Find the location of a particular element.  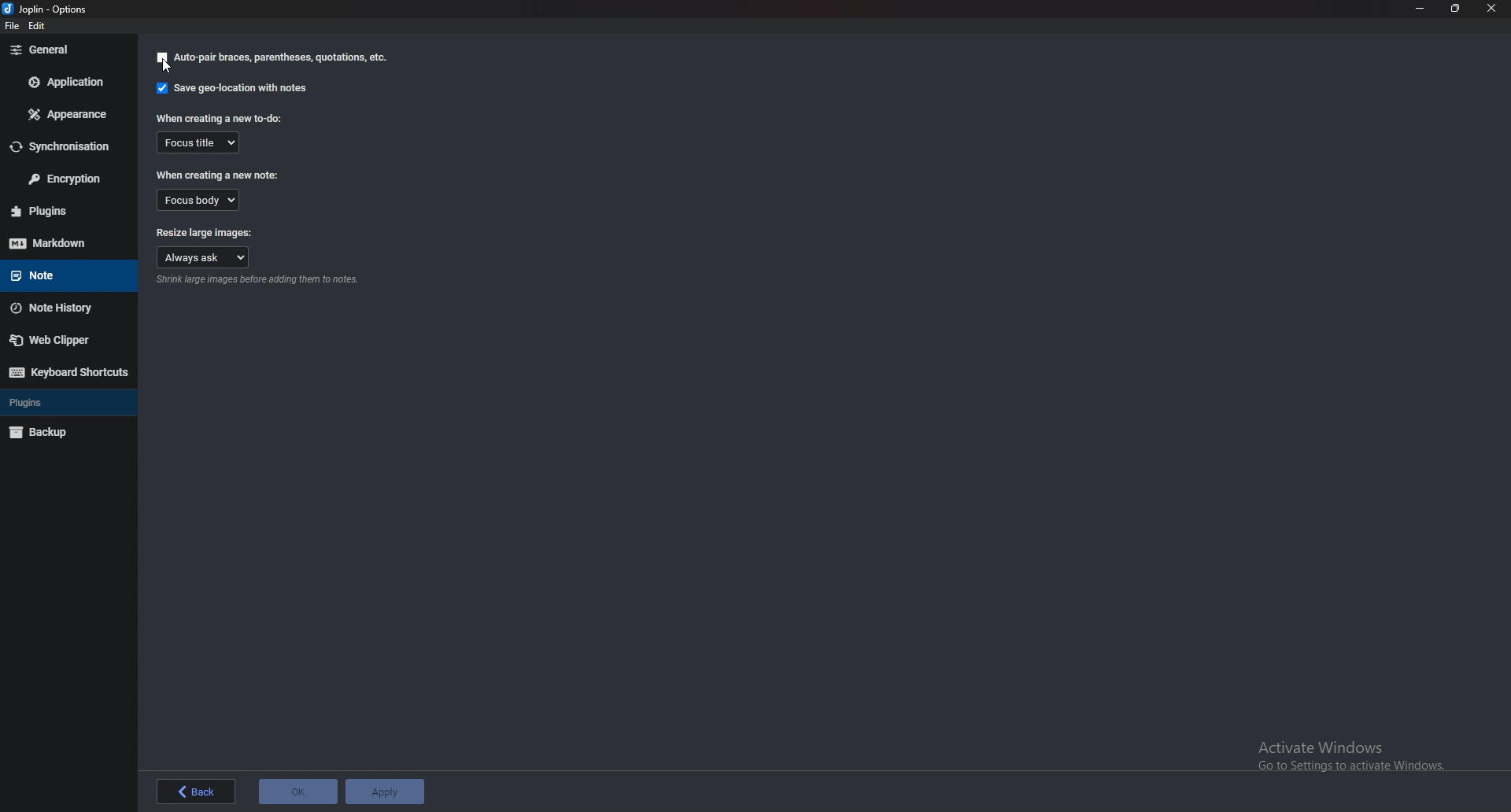

Focus title is located at coordinates (200, 142).